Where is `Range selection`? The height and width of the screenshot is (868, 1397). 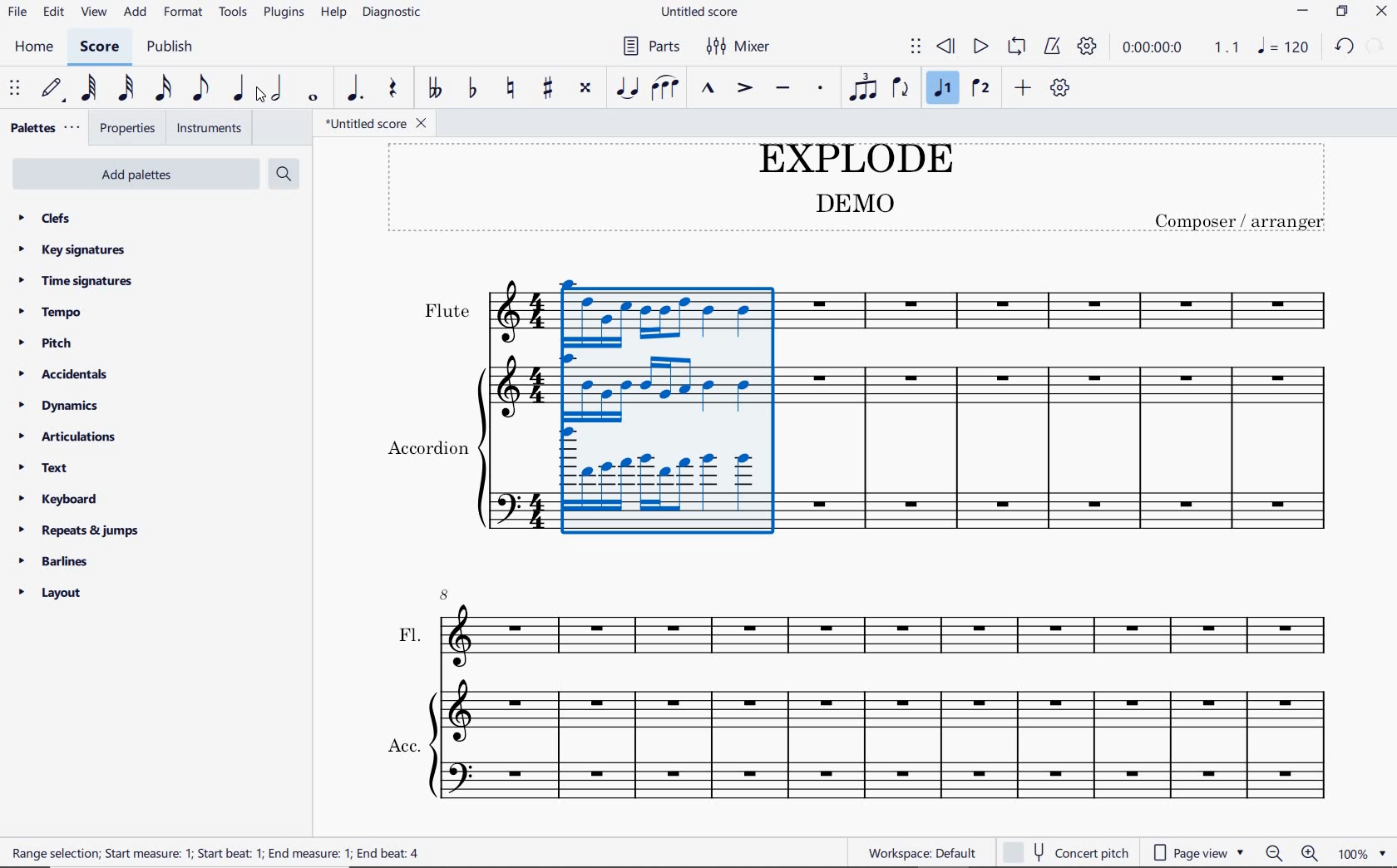 Range selection is located at coordinates (218, 856).